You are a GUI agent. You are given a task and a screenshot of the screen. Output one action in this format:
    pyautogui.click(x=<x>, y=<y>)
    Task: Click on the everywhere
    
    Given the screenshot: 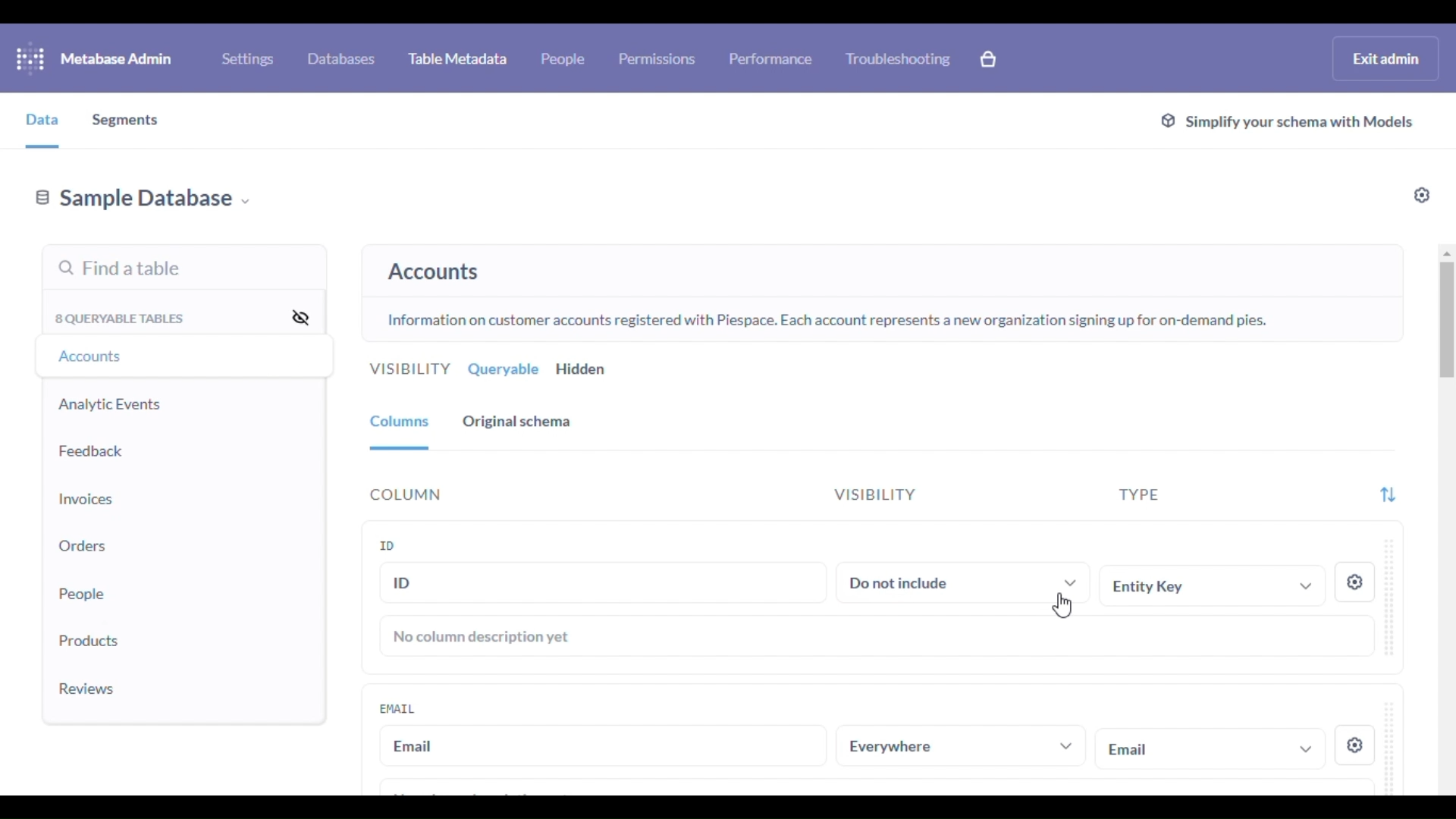 What is the action you would take?
    pyautogui.click(x=959, y=746)
    